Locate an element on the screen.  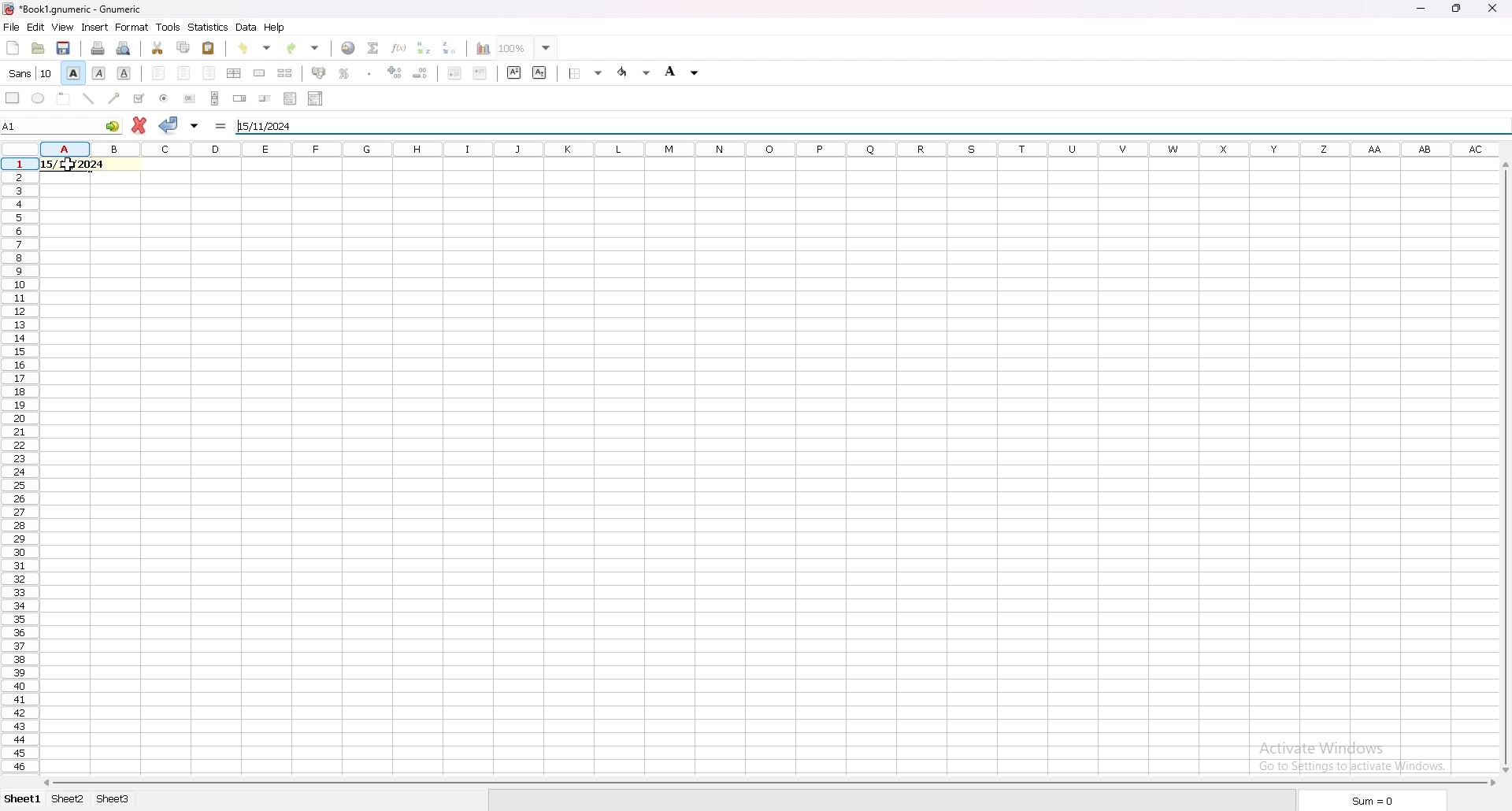
center horizontally is located at coordinates (234, 73).